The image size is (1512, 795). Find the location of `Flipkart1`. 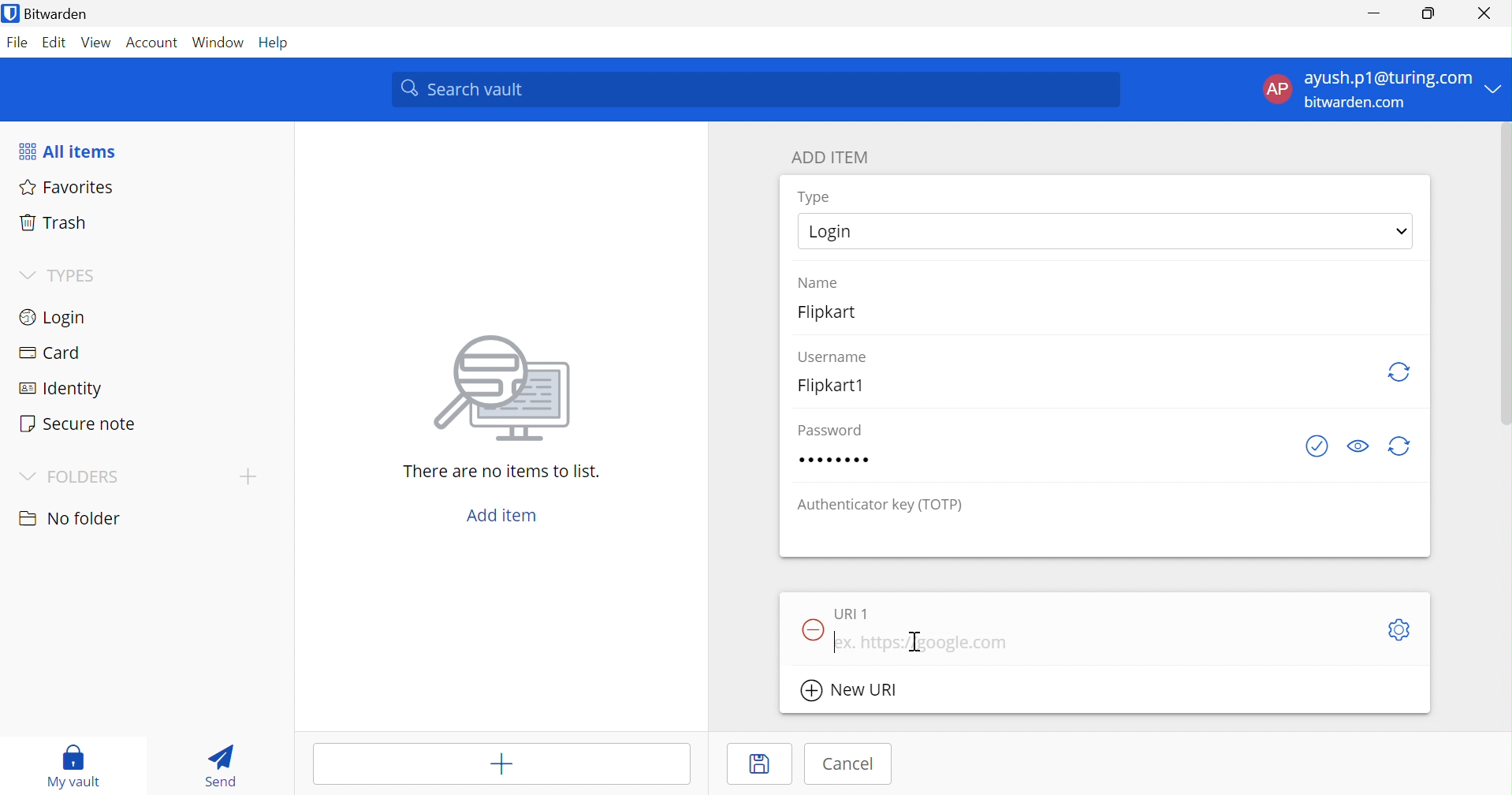

Flipkart1 is located at coordinates (837, 385).